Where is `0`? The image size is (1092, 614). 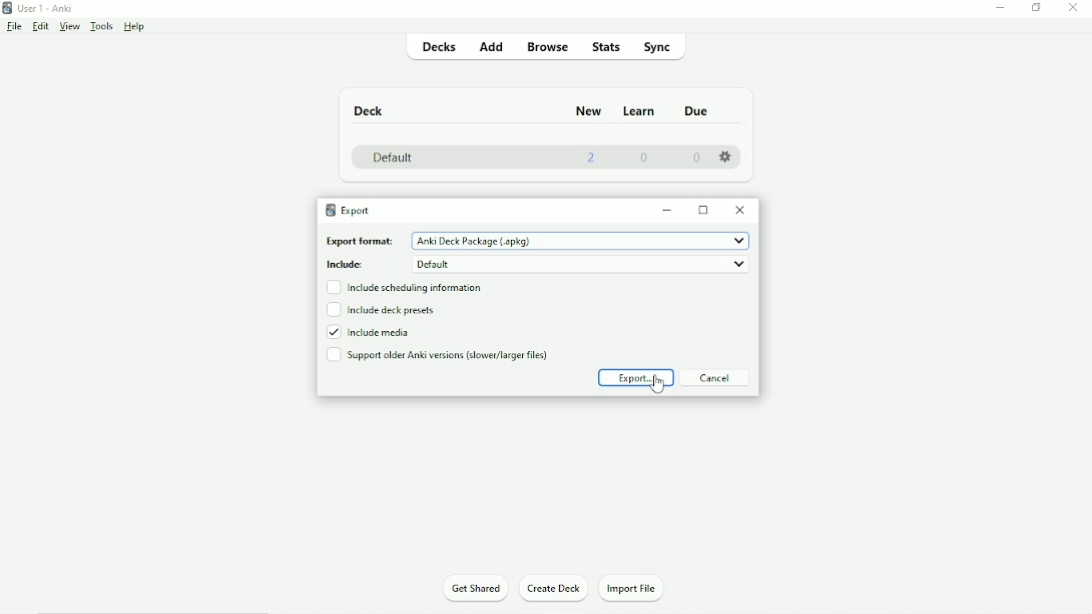 0 is located at coordinates (643, 159).